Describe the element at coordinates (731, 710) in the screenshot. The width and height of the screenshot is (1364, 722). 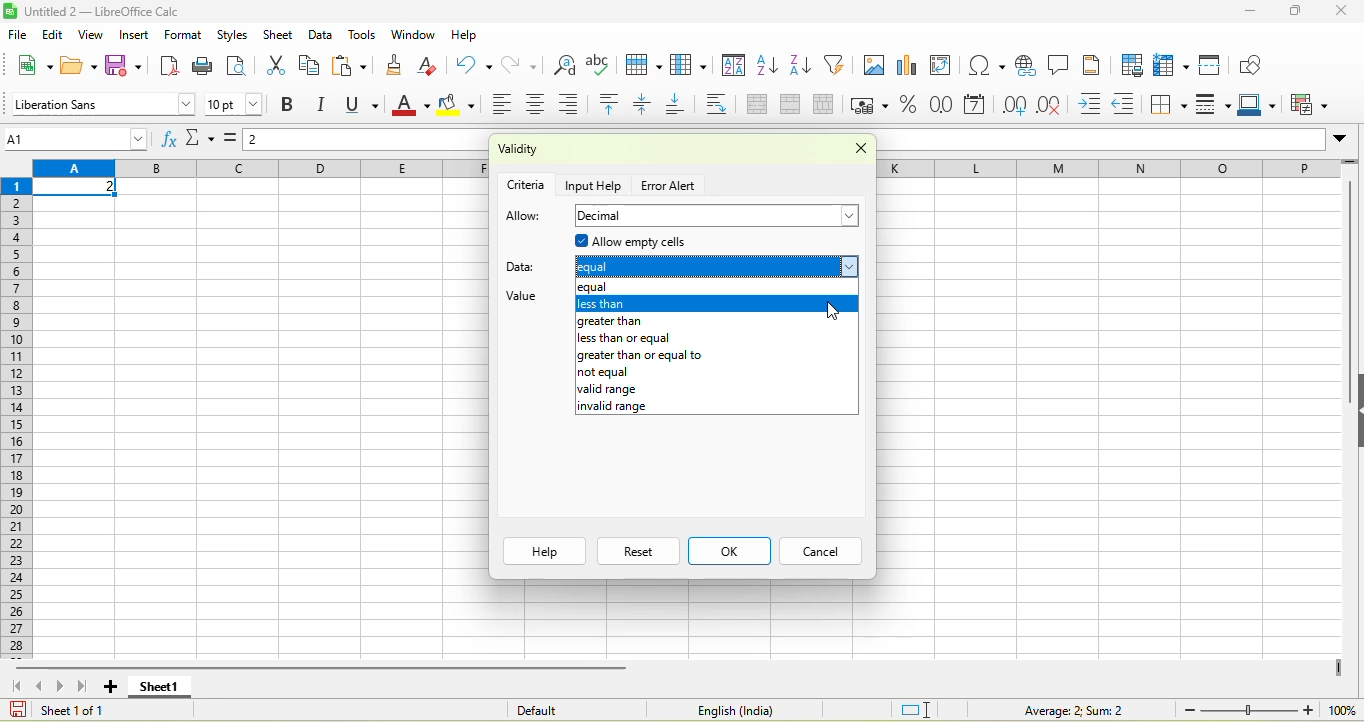
I see `text language` at that location.